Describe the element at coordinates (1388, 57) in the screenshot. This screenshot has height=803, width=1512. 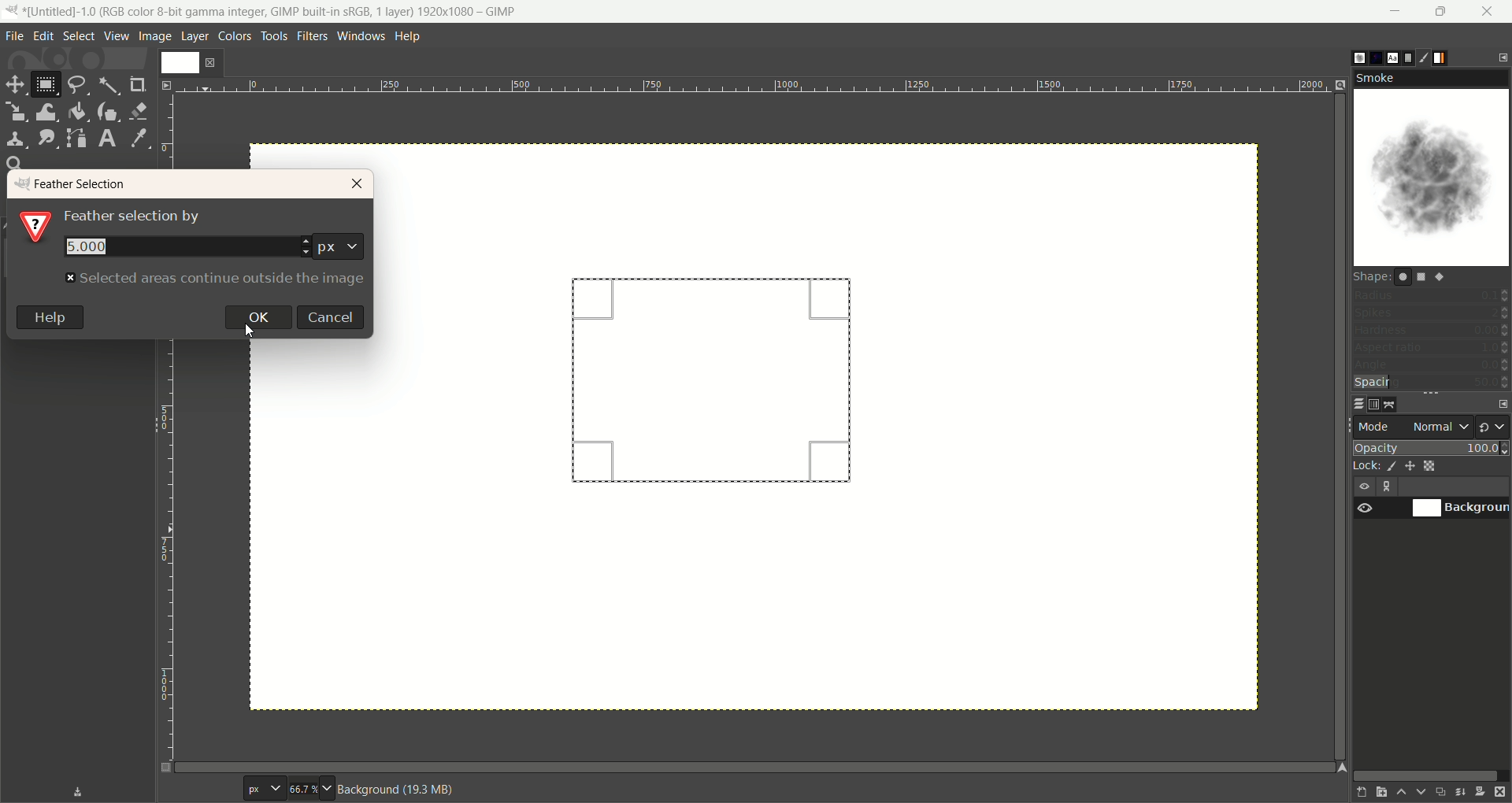
I see `font` at that location.